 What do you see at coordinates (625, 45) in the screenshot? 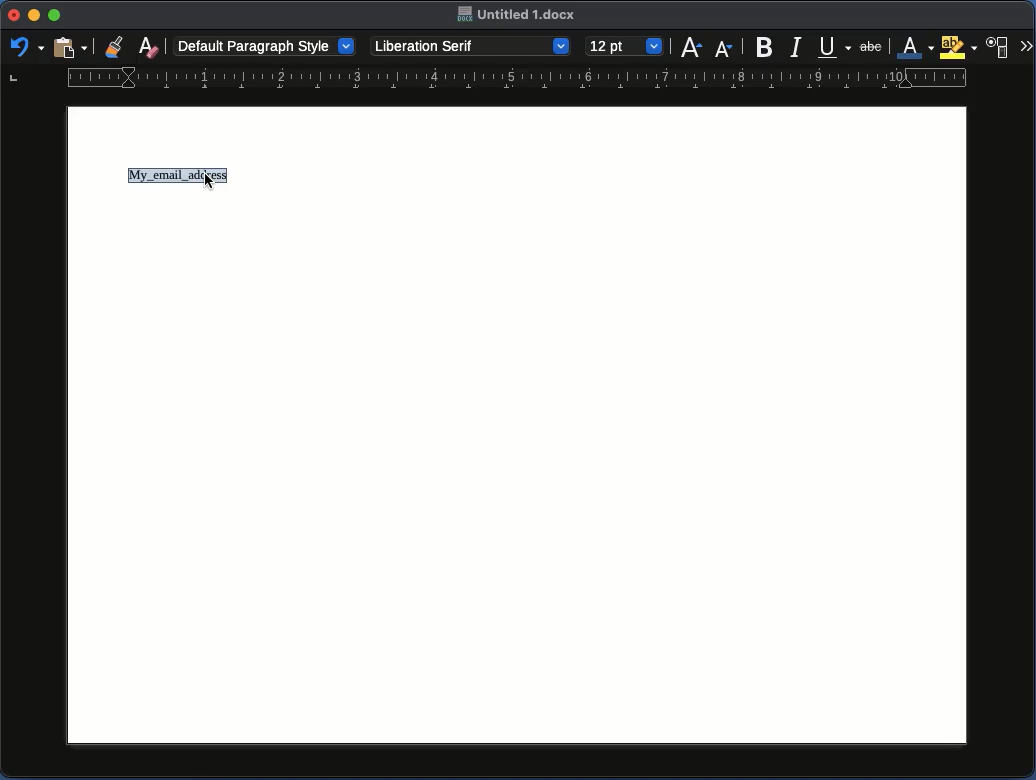
I see `12pt` at bounding box center [625, 45].